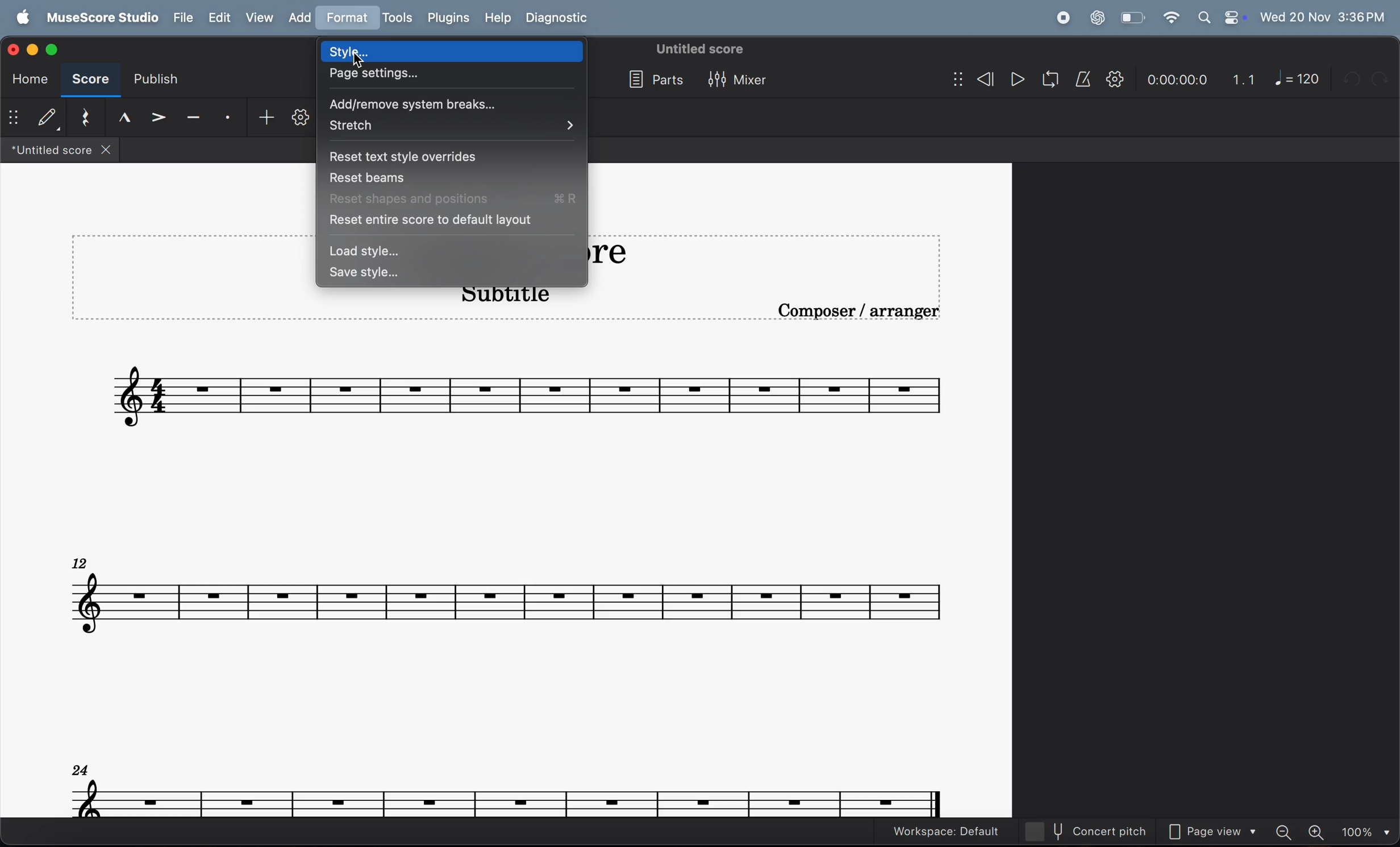 The width and height of the screenshot is (1400, 847). What do you see at coordinates (53, 48) in the screenshot?
I see `maximize` at bounding box center [53, 48].